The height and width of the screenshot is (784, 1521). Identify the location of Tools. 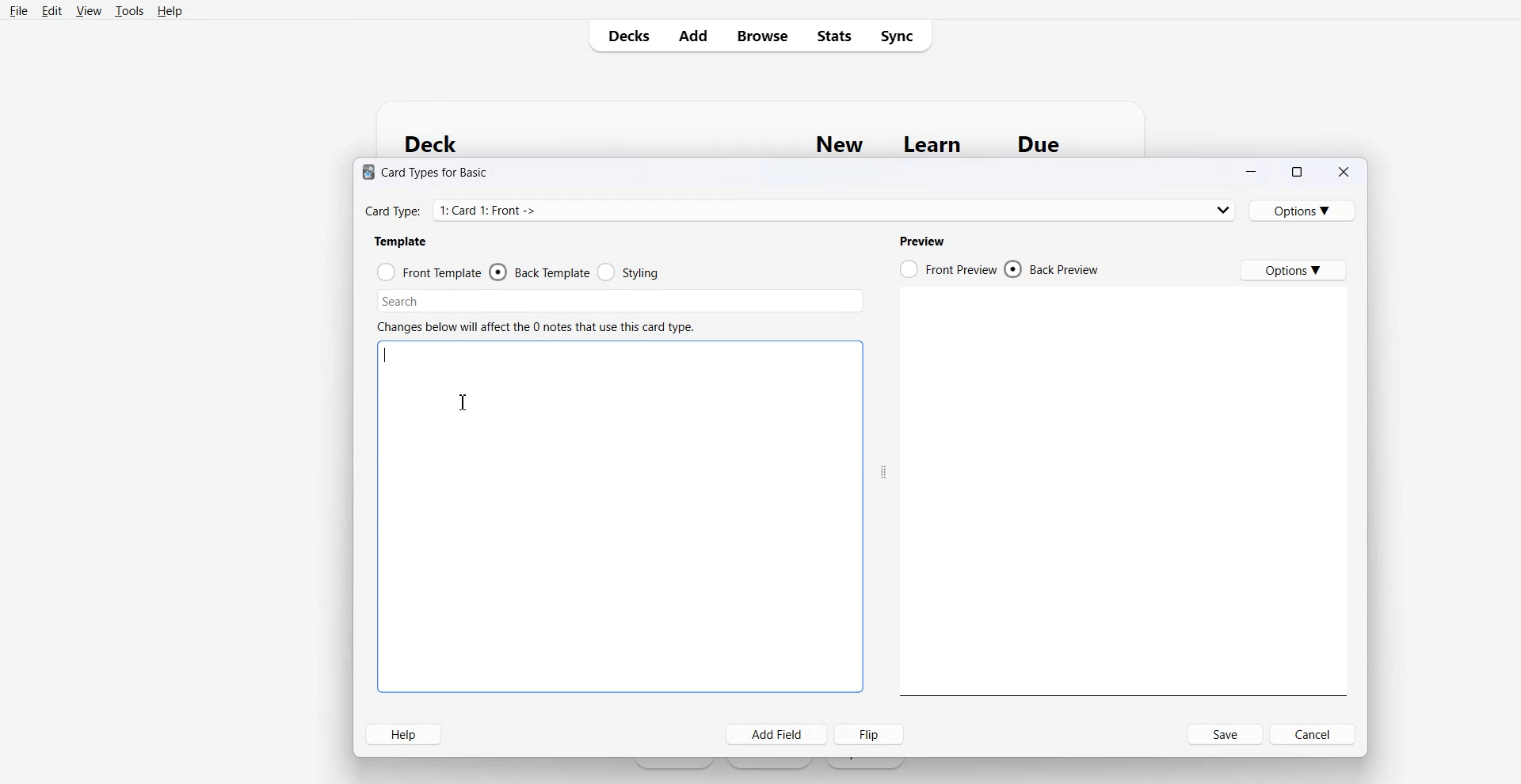
(129, 10).